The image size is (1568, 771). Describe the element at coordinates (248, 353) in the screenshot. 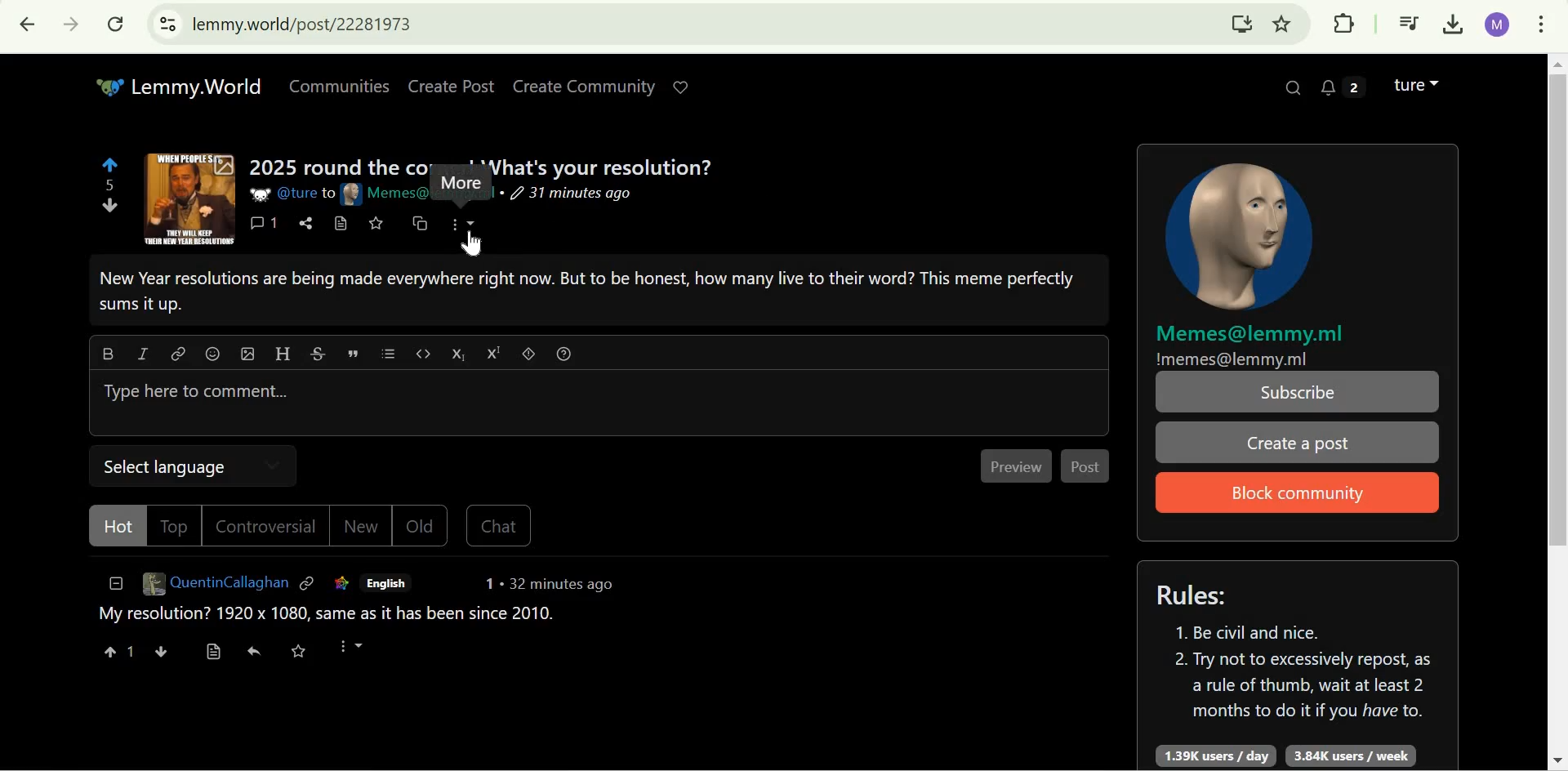

I see `upload image` at that location.